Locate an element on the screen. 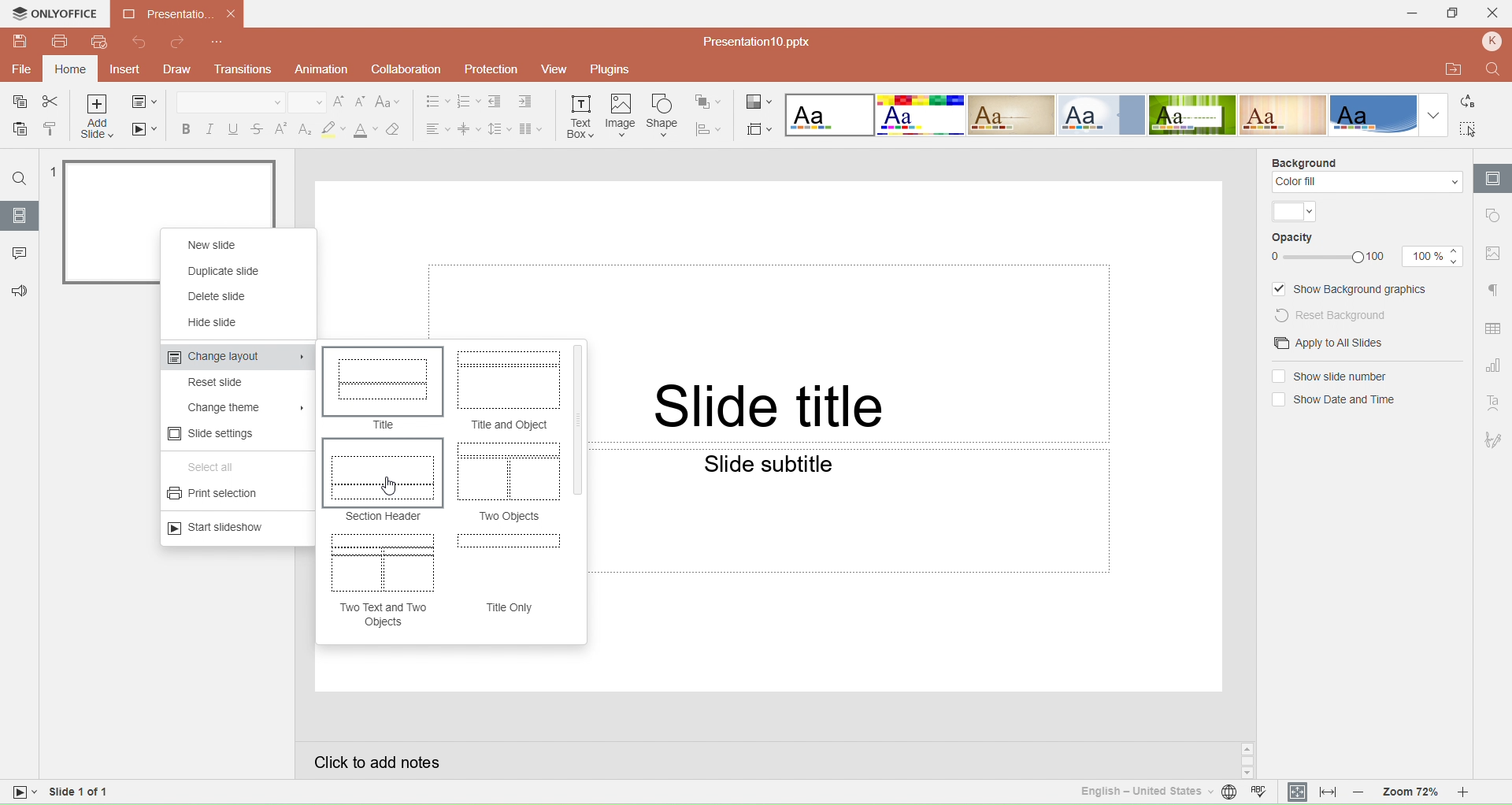  Cursor is located at coordinates (393, 487).